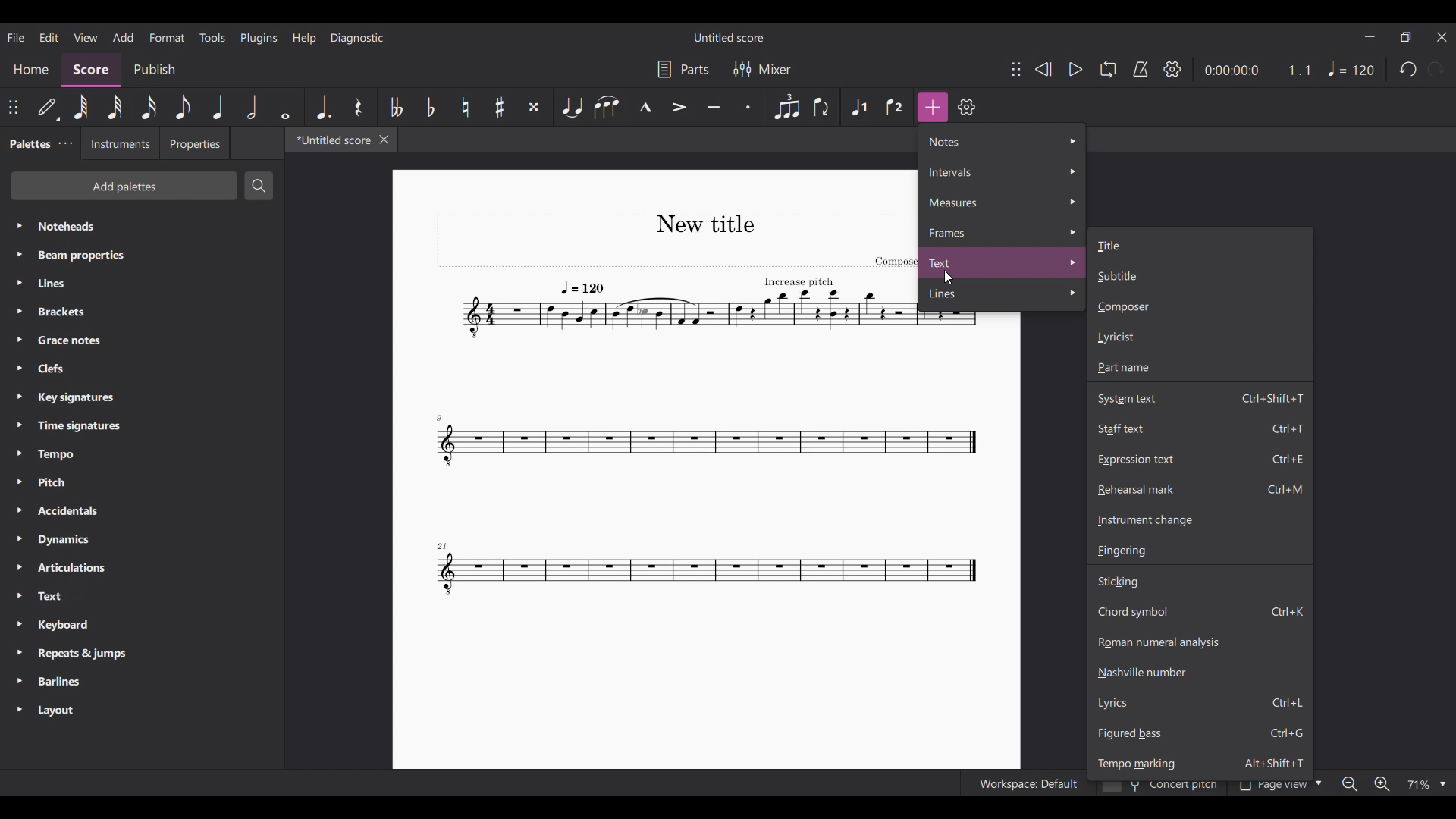 This screenshot has height=819, width=1456. I want to click on File menu, so click(15, 37).